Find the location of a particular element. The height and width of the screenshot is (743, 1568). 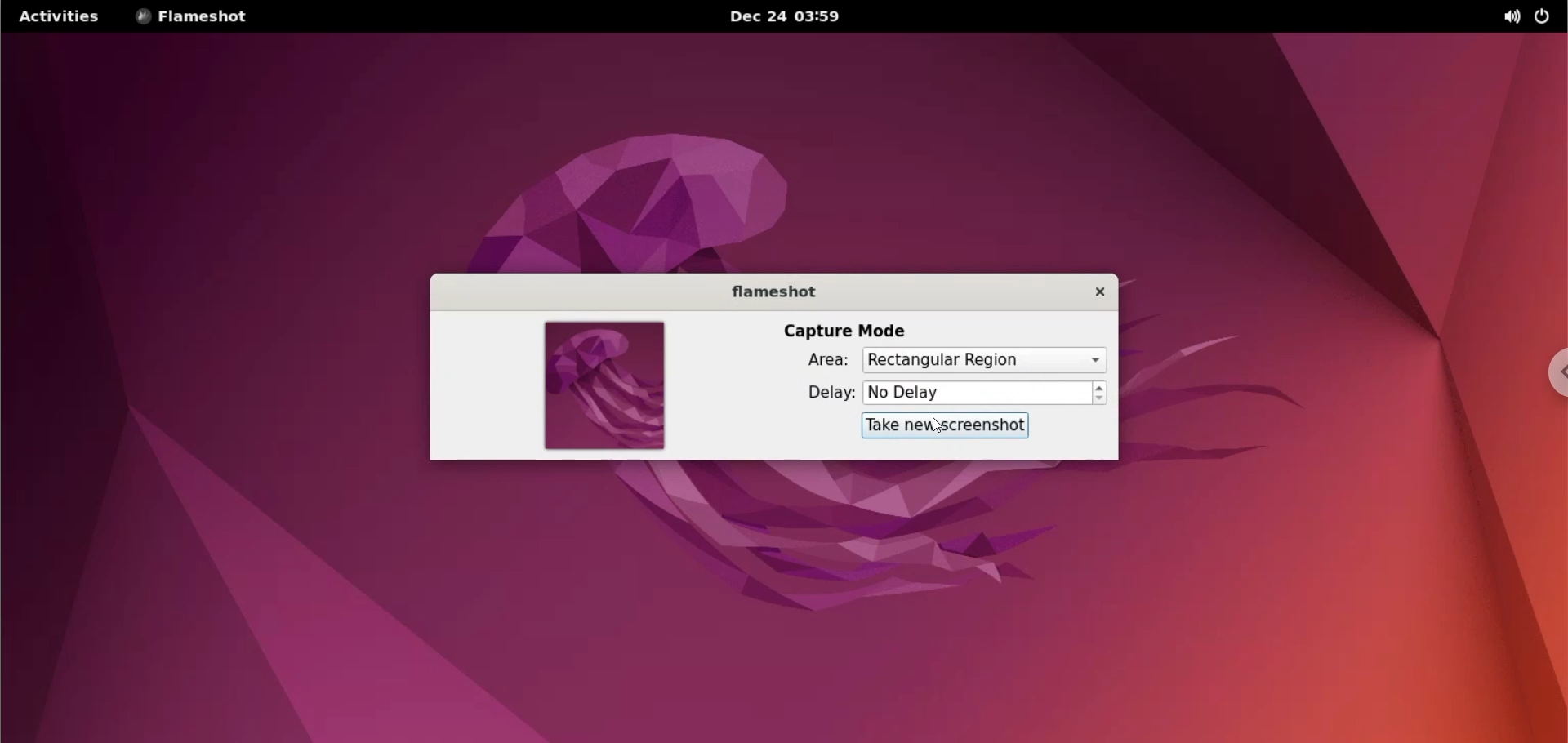

flameshot options is located at coordinates (199, 17).